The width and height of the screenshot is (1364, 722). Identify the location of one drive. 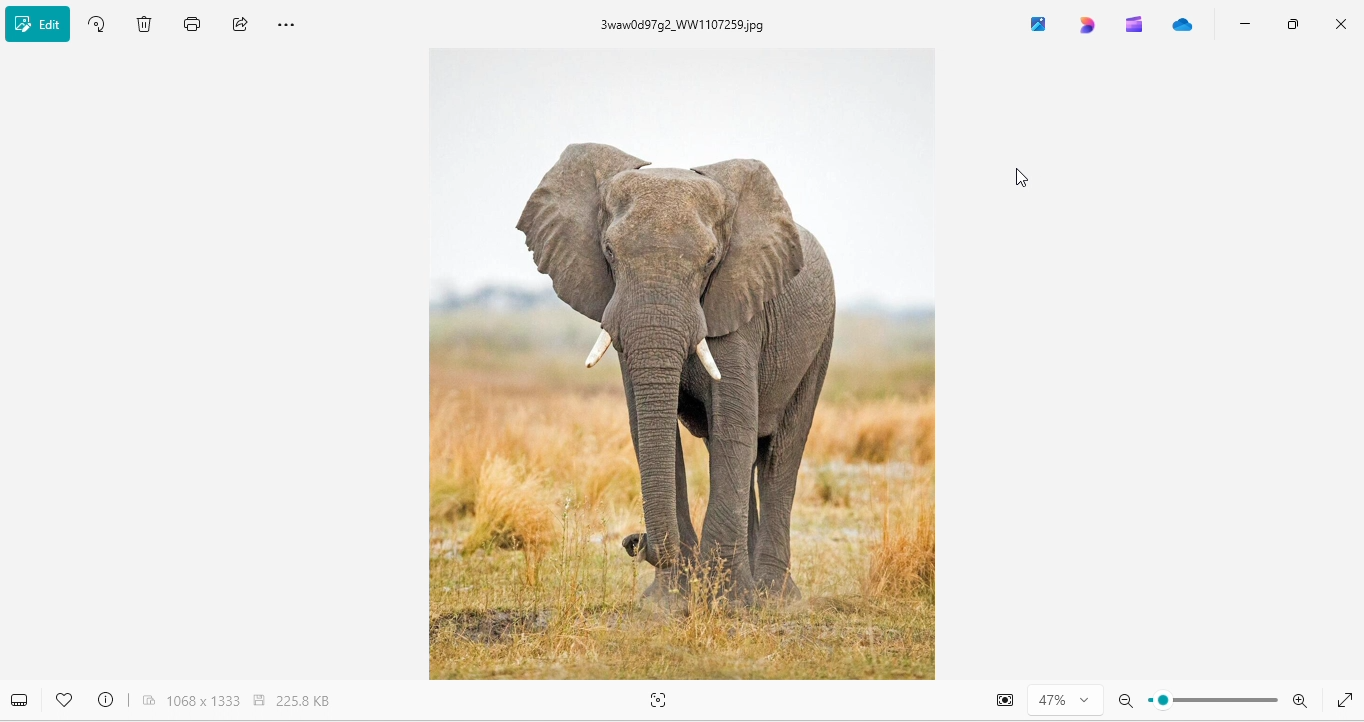
(1184, 24).